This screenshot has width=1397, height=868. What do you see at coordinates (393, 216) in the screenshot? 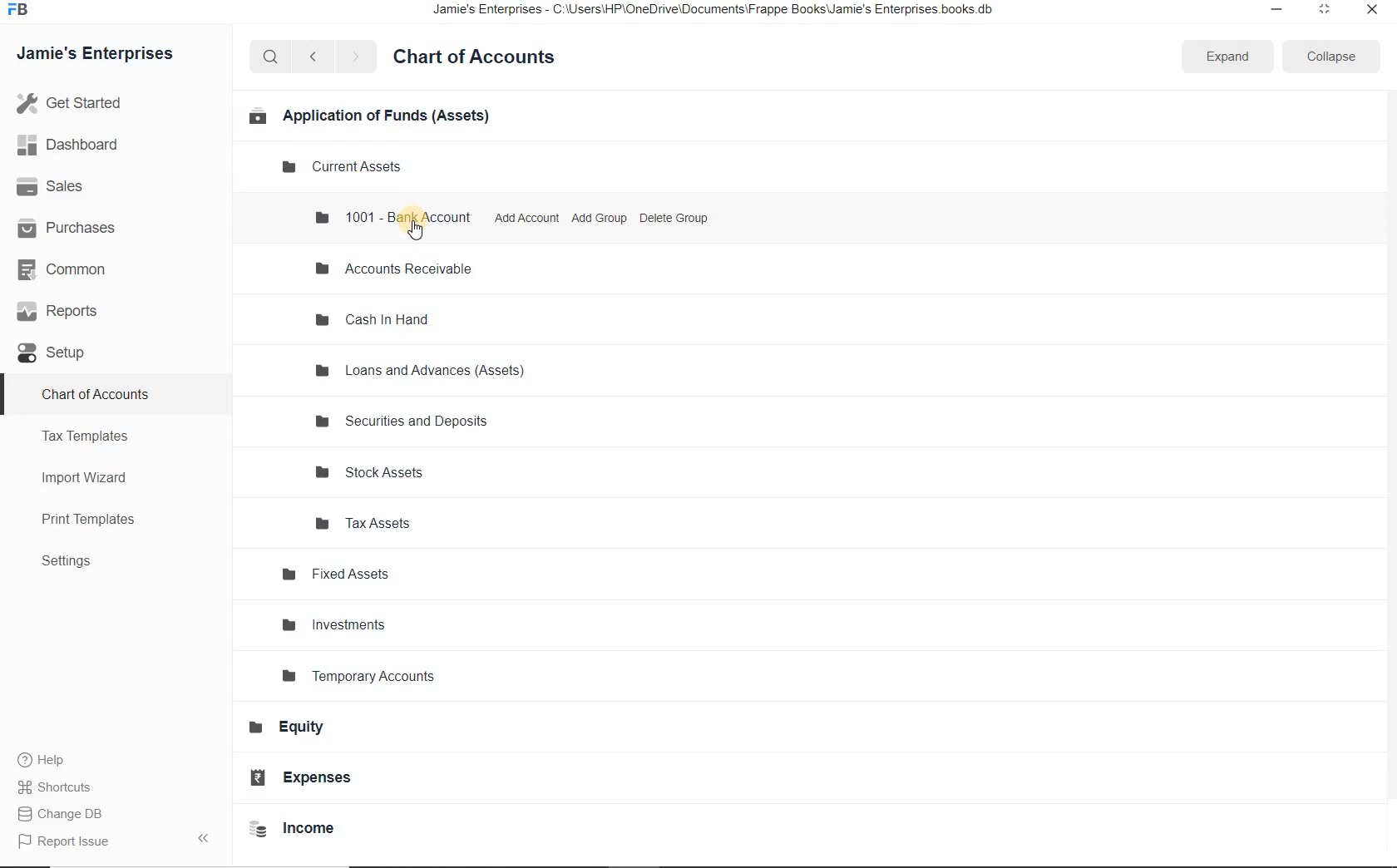
I see `1001 - Bank Account` at bounding box center [393, 216].